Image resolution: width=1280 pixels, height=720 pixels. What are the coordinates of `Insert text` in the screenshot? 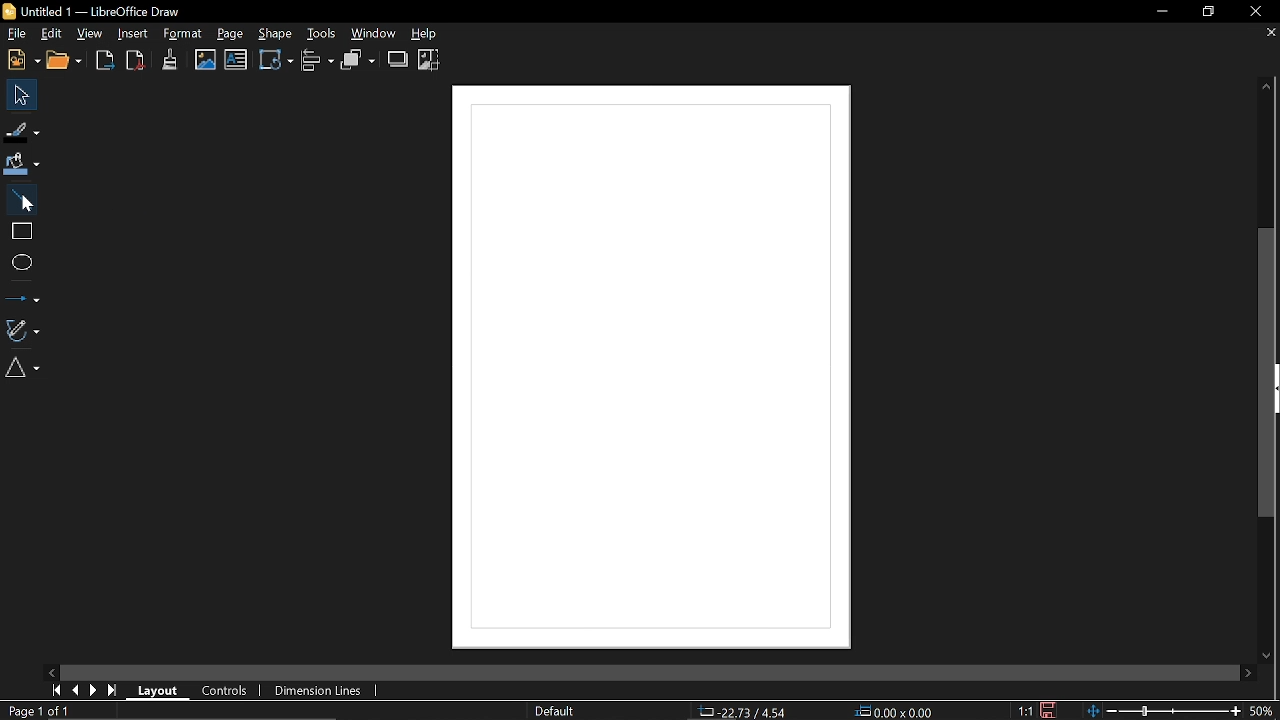 It's located at (236, 61).